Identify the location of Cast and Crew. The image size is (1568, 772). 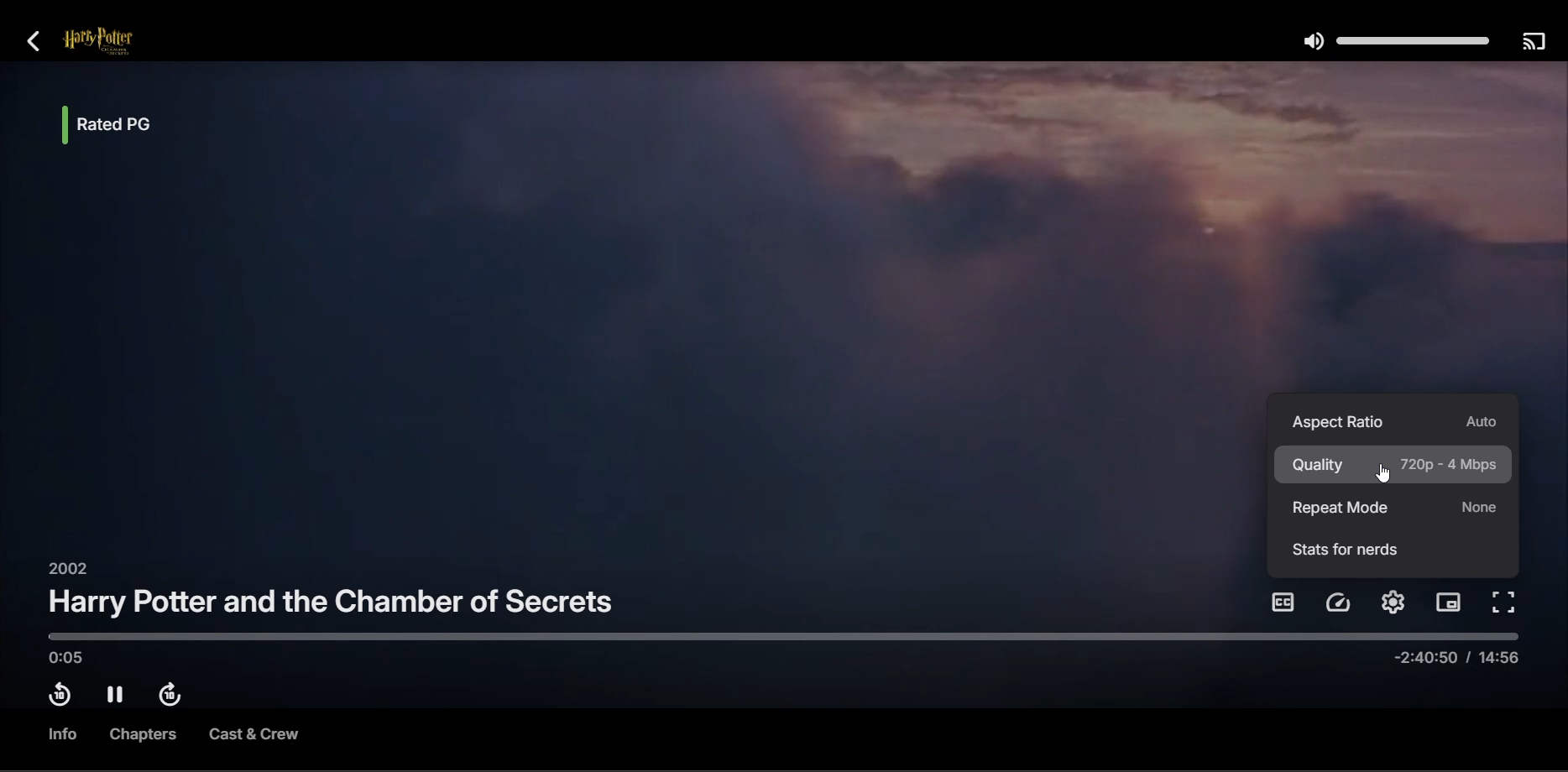
(253, 737).